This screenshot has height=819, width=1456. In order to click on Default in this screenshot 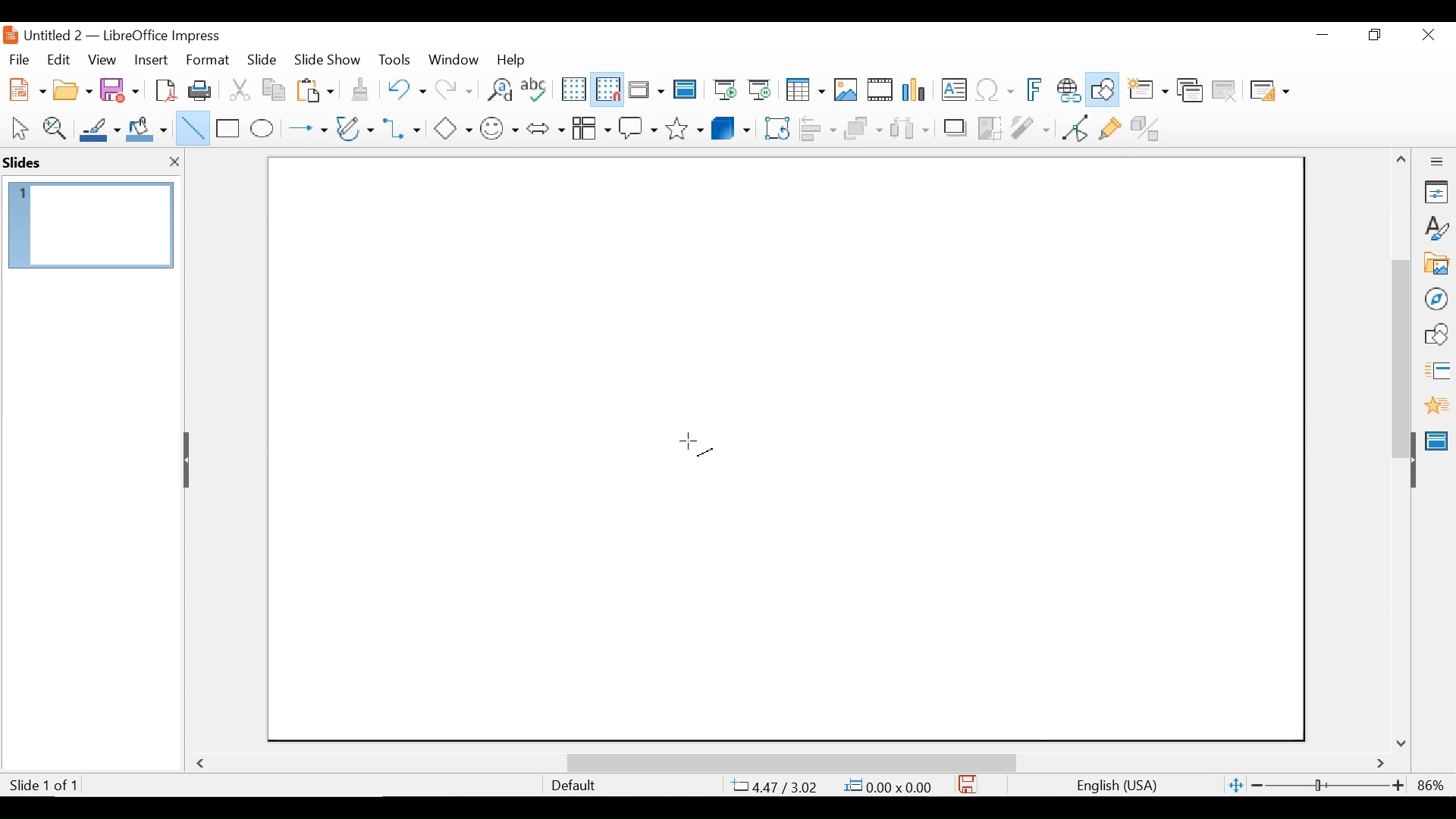, I will do `click(583, 783)`.